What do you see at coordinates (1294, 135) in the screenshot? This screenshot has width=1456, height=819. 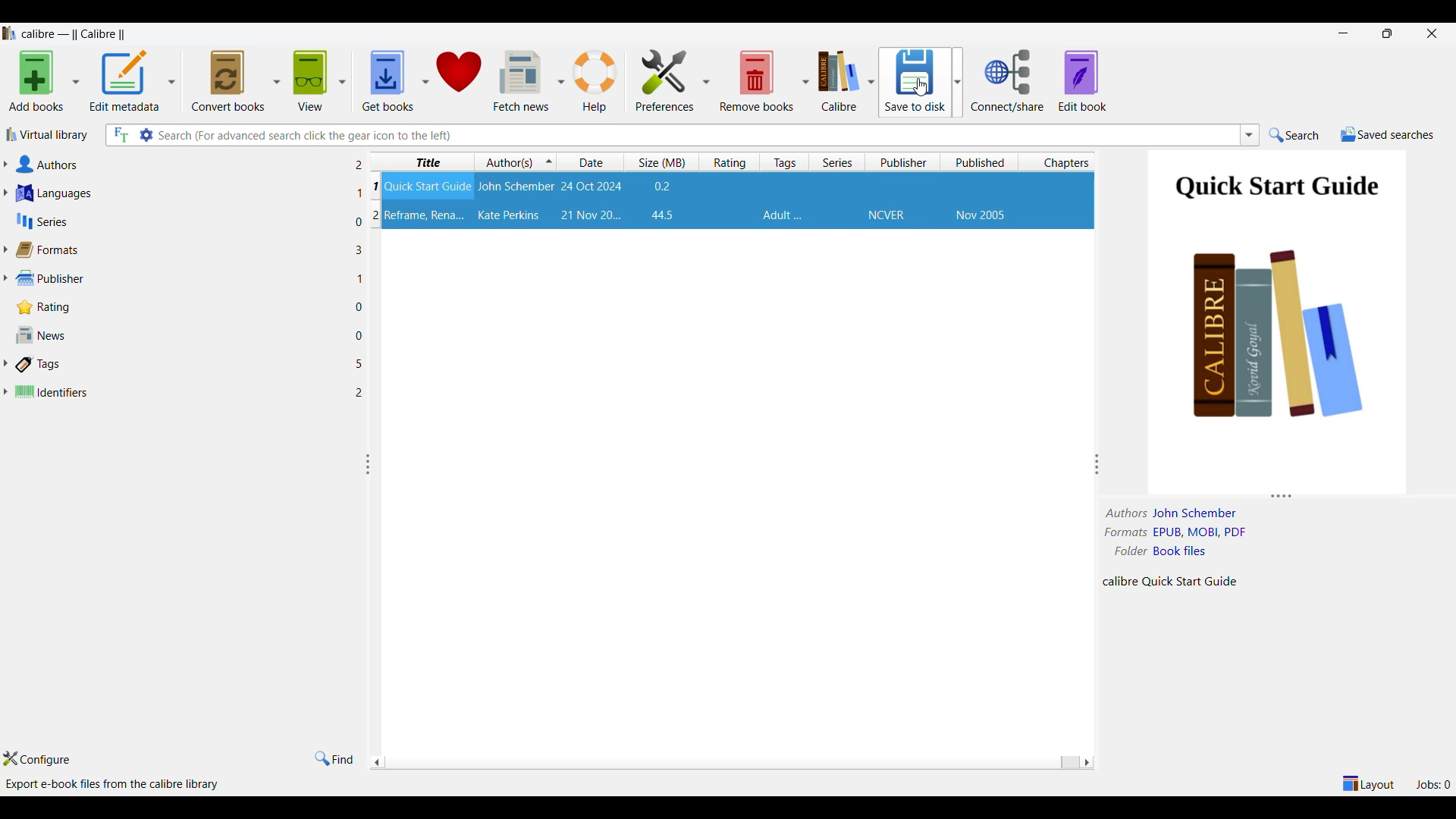 I see `Search` at bounding box center [1294, 135].